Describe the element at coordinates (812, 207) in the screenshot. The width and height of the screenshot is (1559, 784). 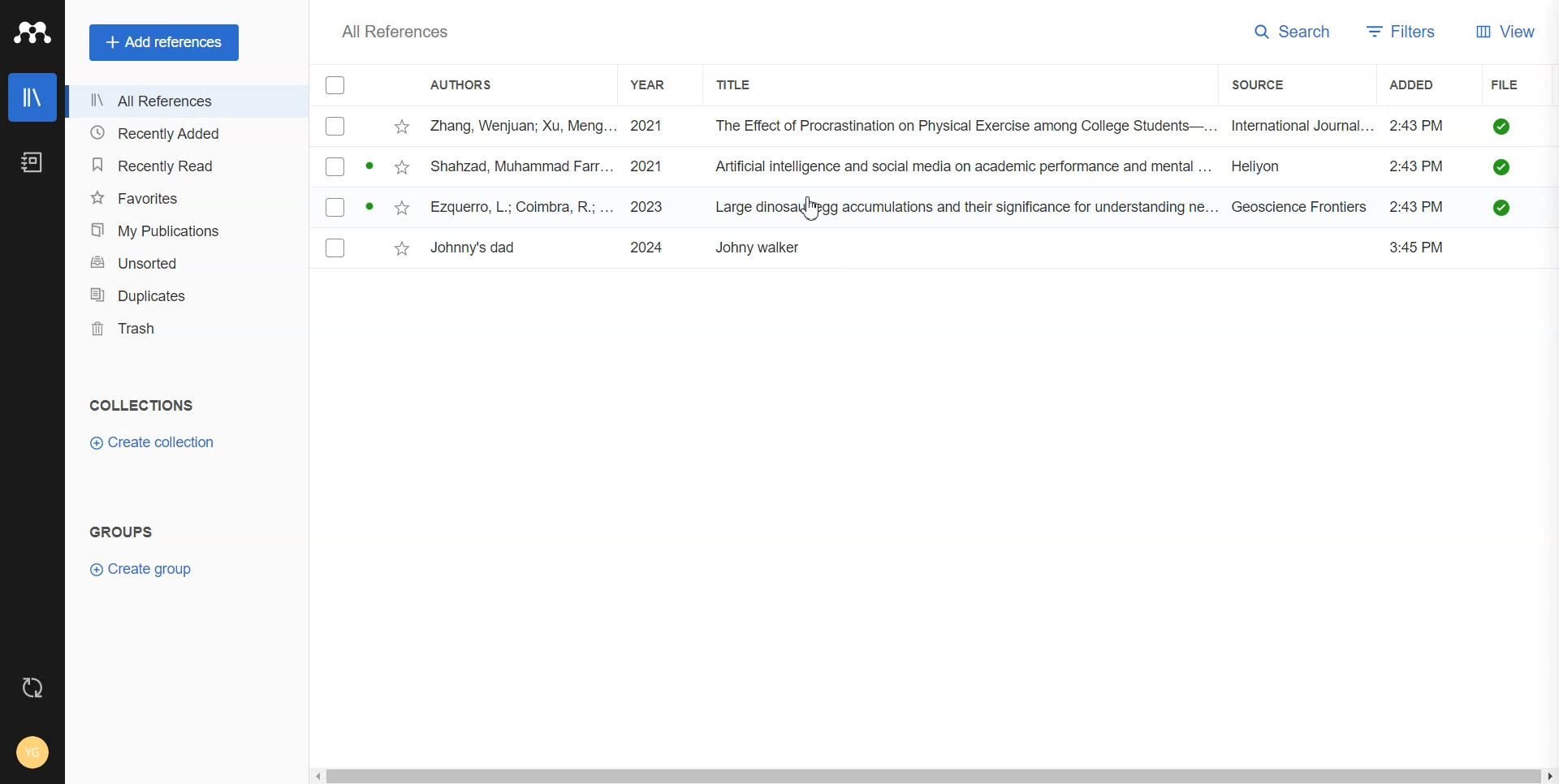
I see `Cursor` at that location.